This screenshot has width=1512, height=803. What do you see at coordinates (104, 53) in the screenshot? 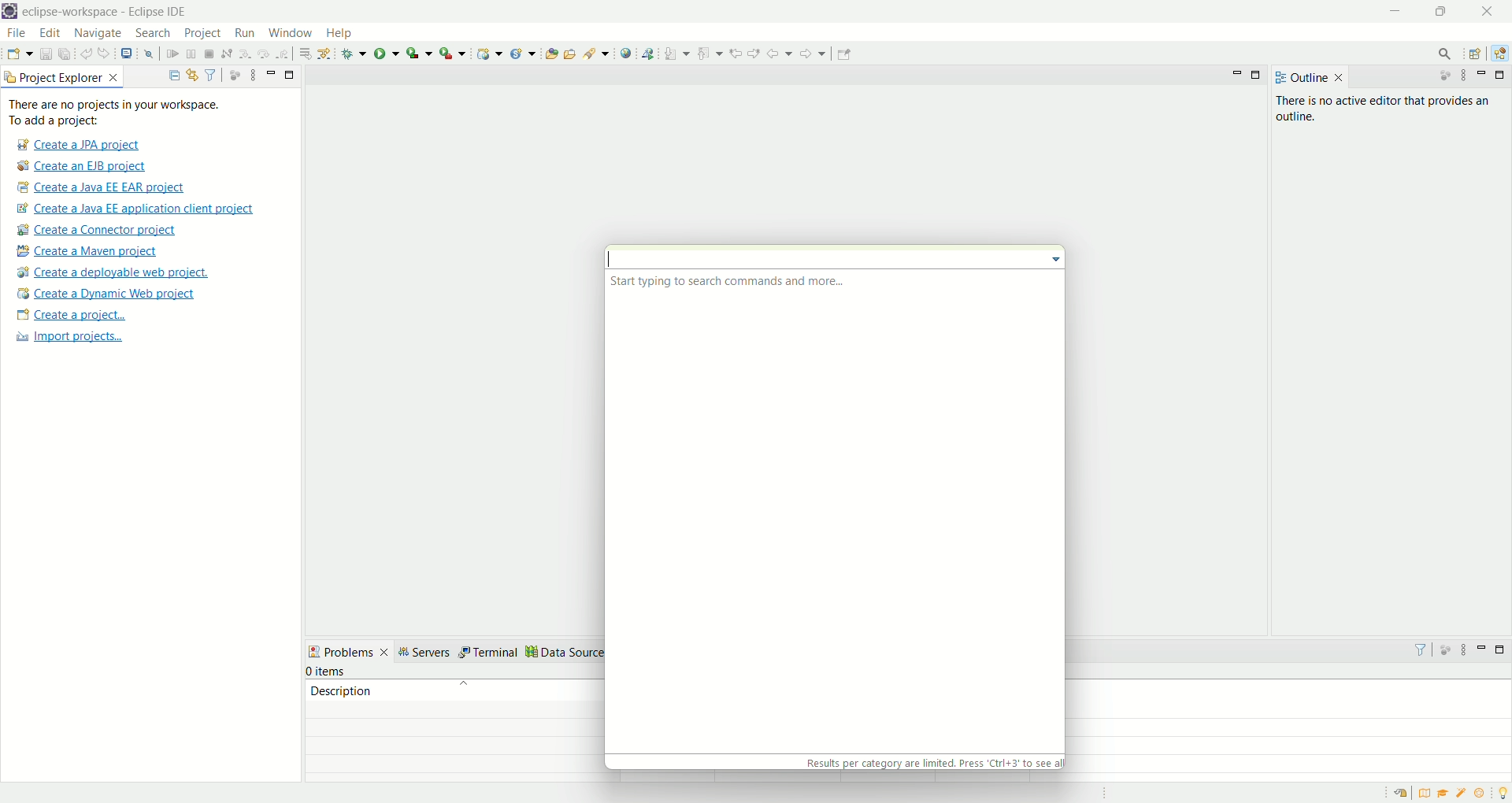
I see `redo` at bounding box center [104, 53].